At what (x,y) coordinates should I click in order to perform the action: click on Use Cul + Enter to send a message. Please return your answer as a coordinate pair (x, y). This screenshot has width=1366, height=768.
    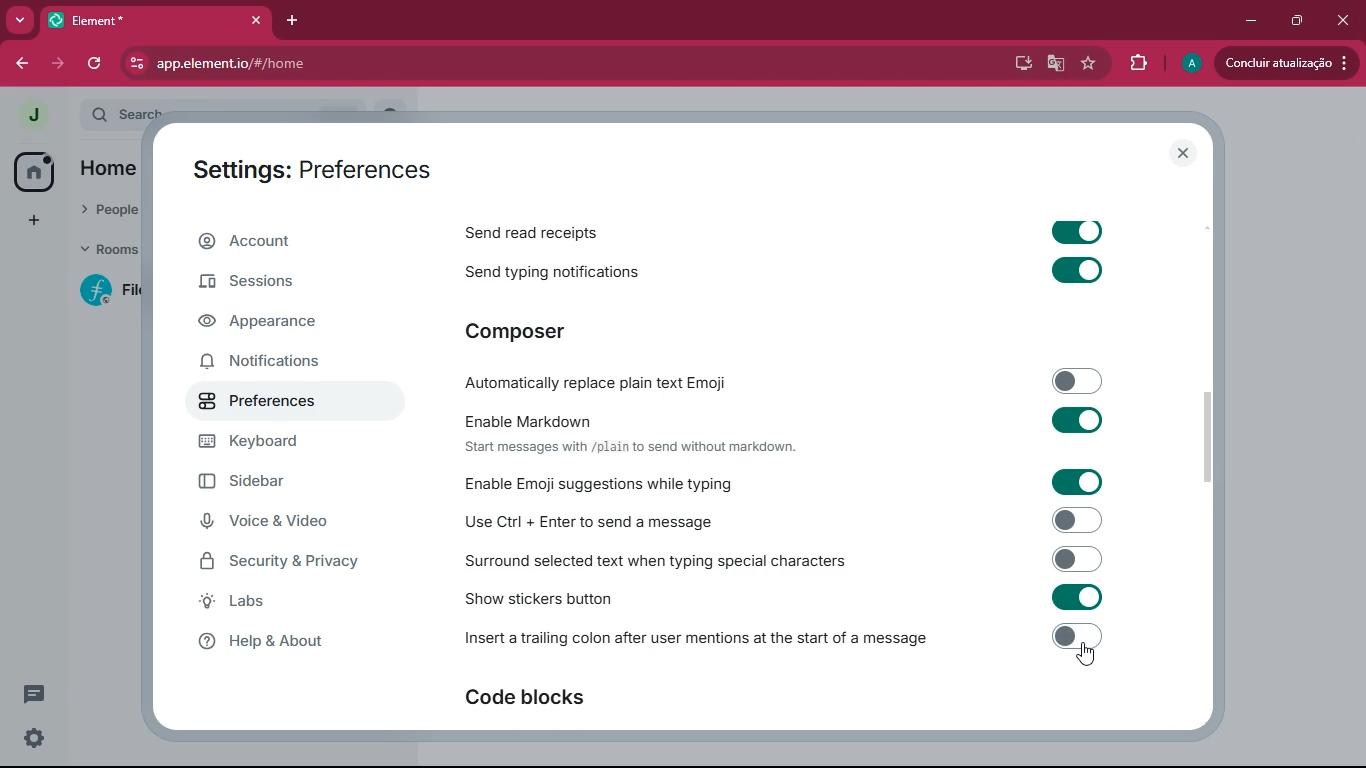
    Looking at the image, I should click on (780, 521).